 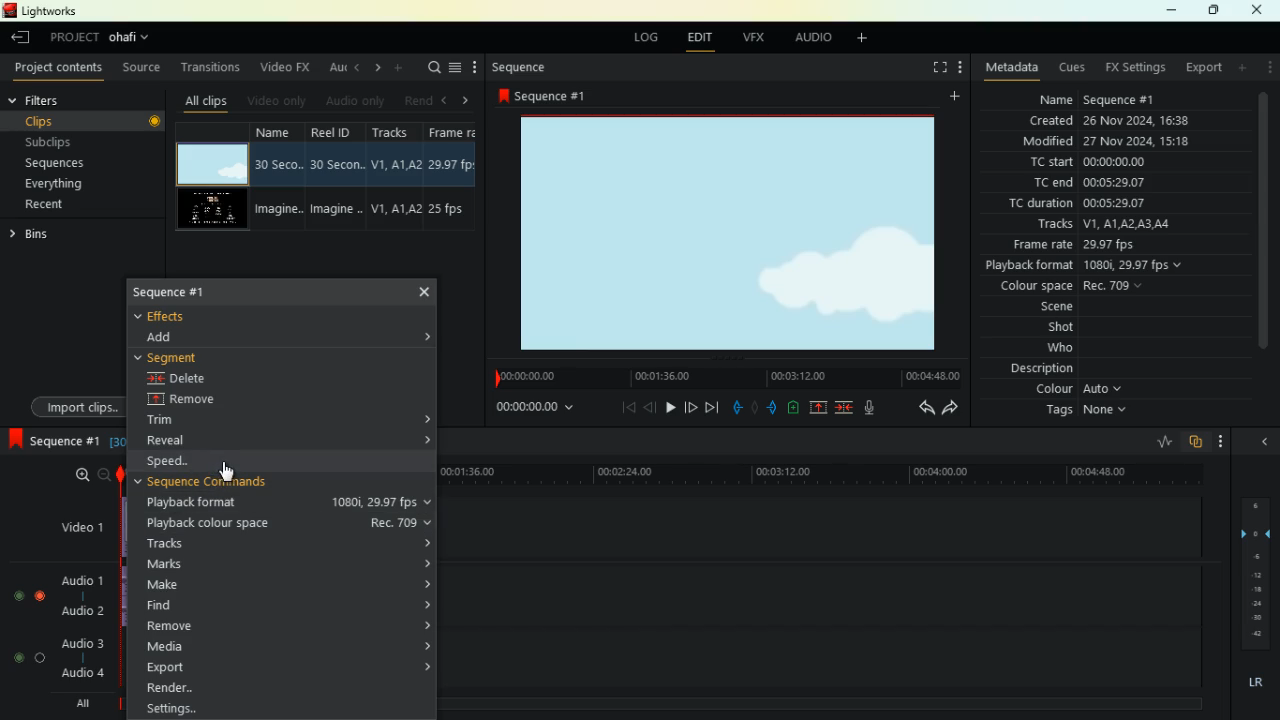 What do you see at coordinates (959, 96) in the screenshot?
I see `add` at bounding box center [959, 96].